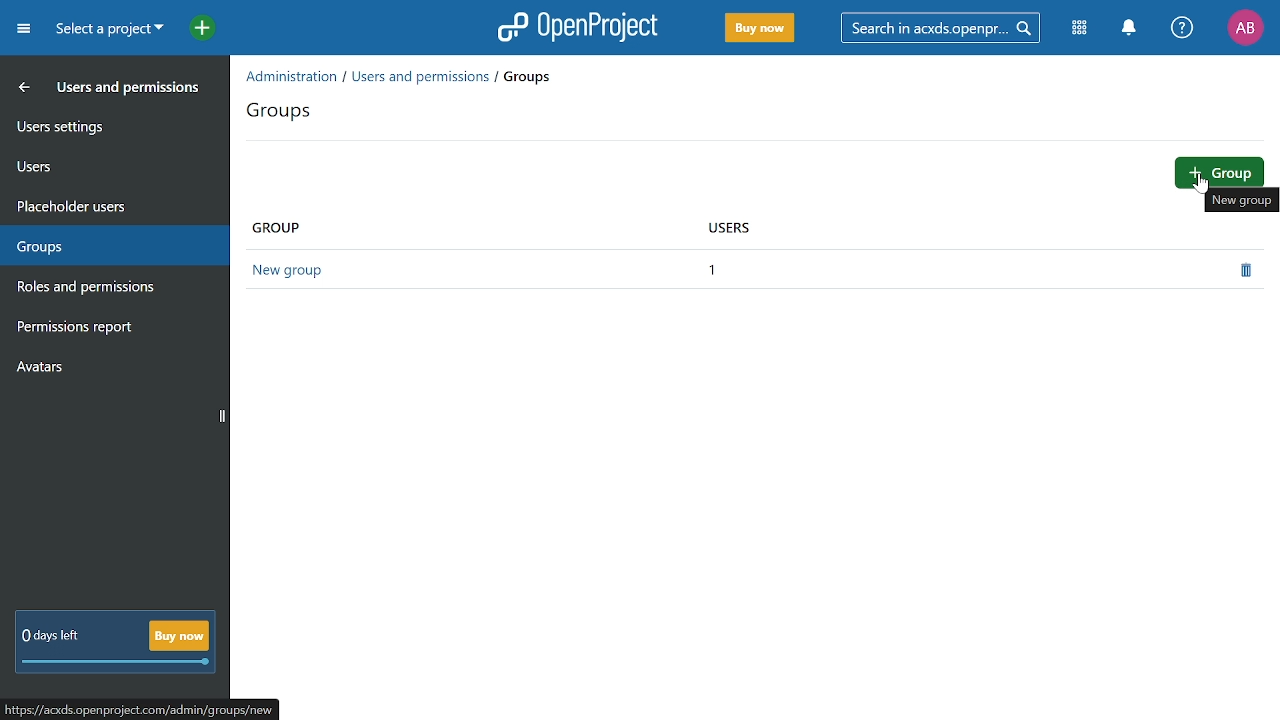 This screenshot has width=1280, height=720. I want to click on roles and permissions, so click(106, 288).